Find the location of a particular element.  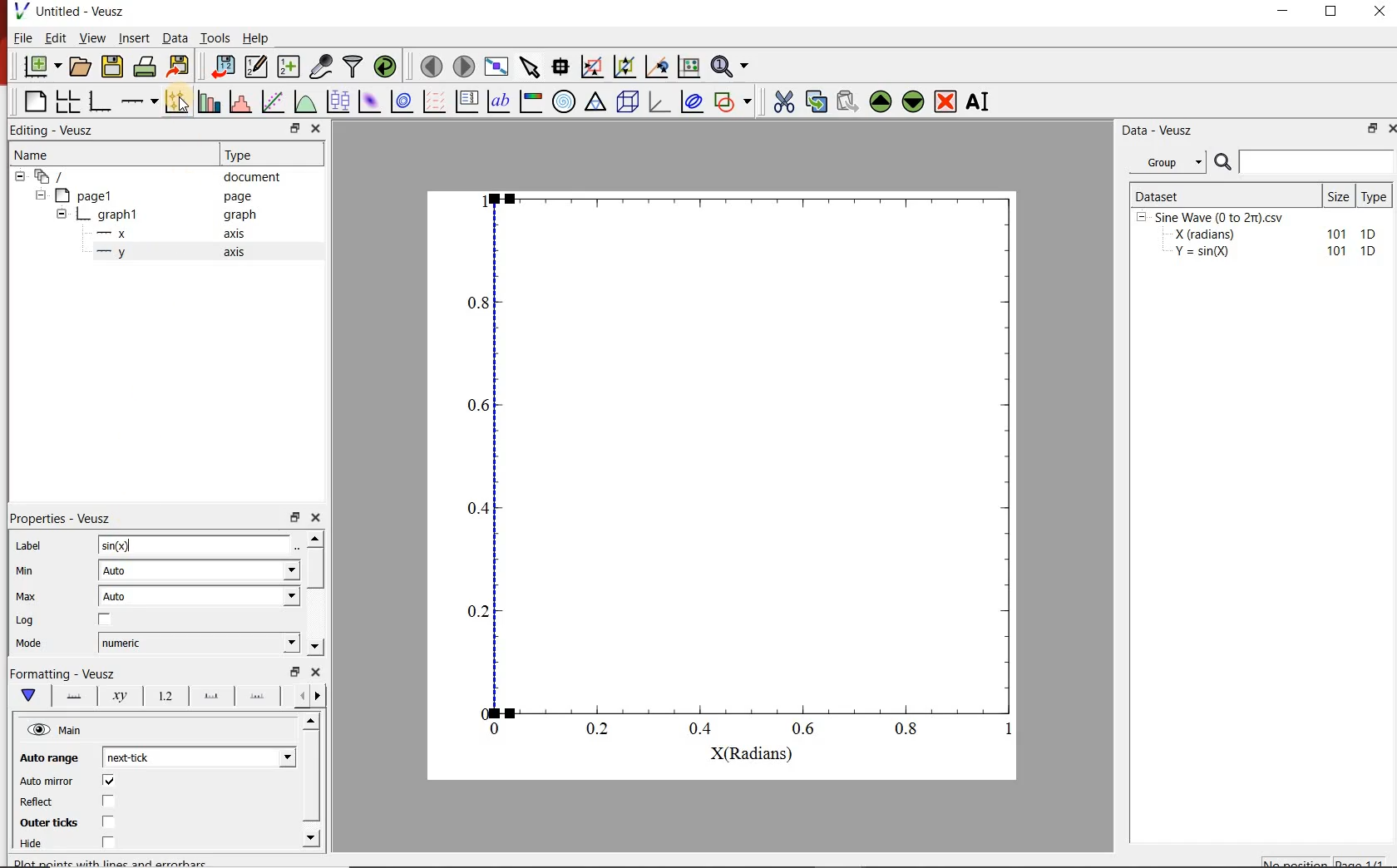

Search is located at coordinates (1305, 162).